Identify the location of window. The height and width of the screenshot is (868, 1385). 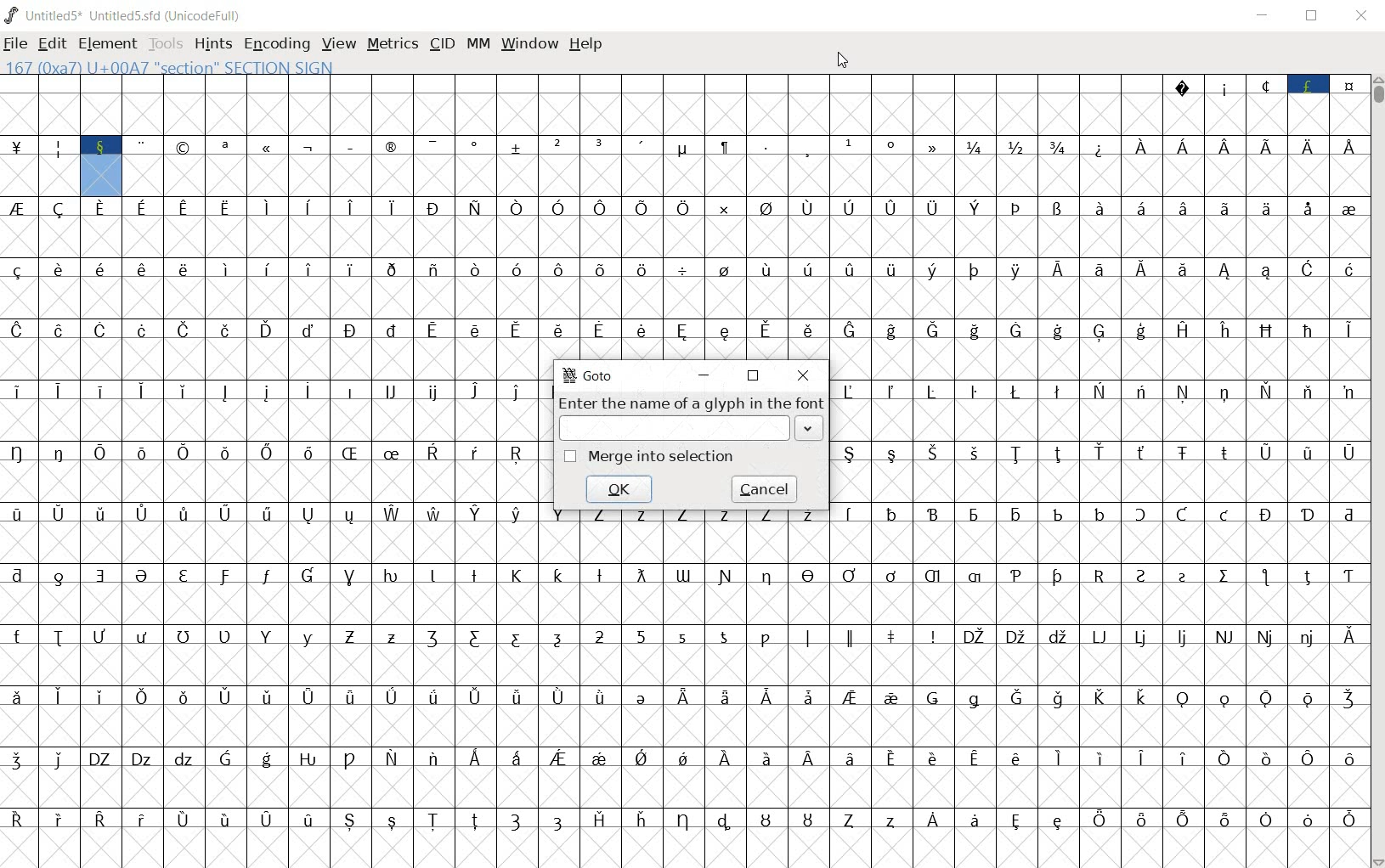
(529, 45).